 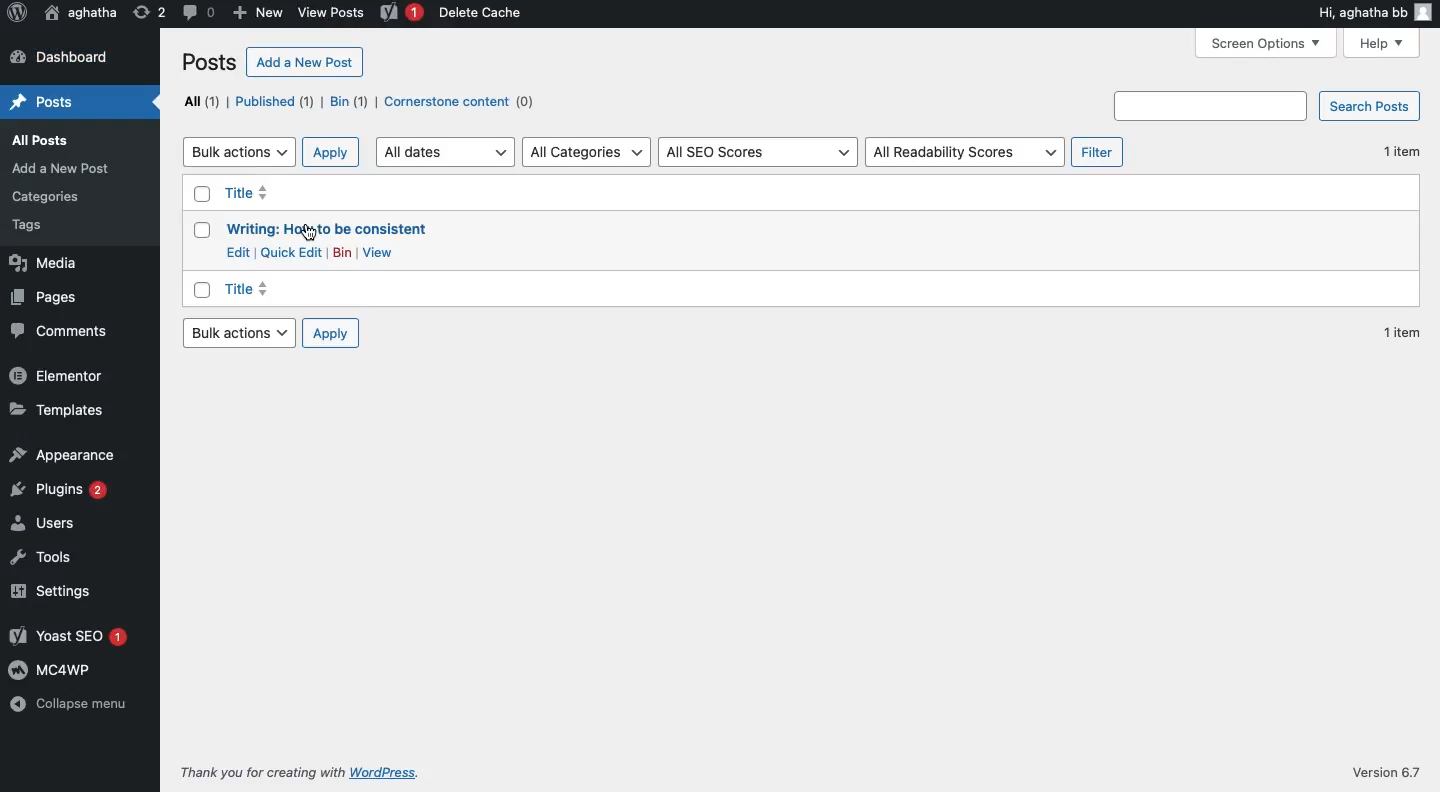 I want to click on Apply, so click(x=331, y=152).